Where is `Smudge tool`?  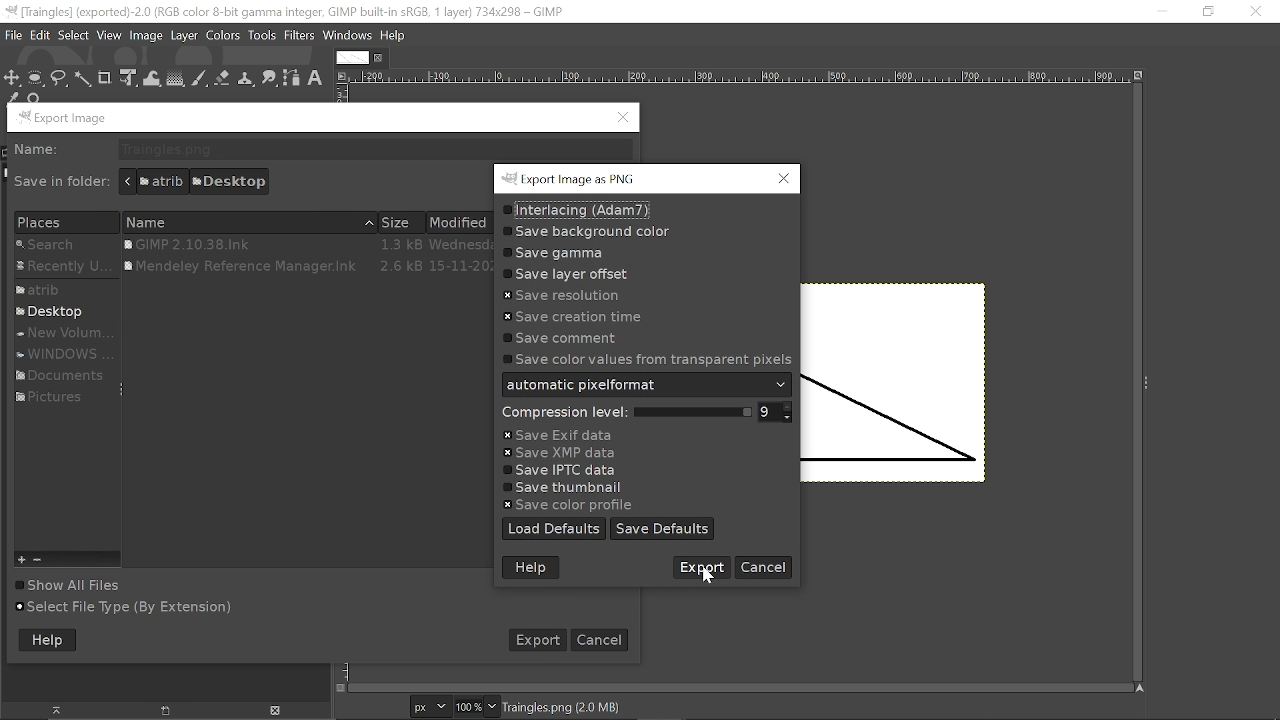
Smudge tool is located at coordinates (271, 79).